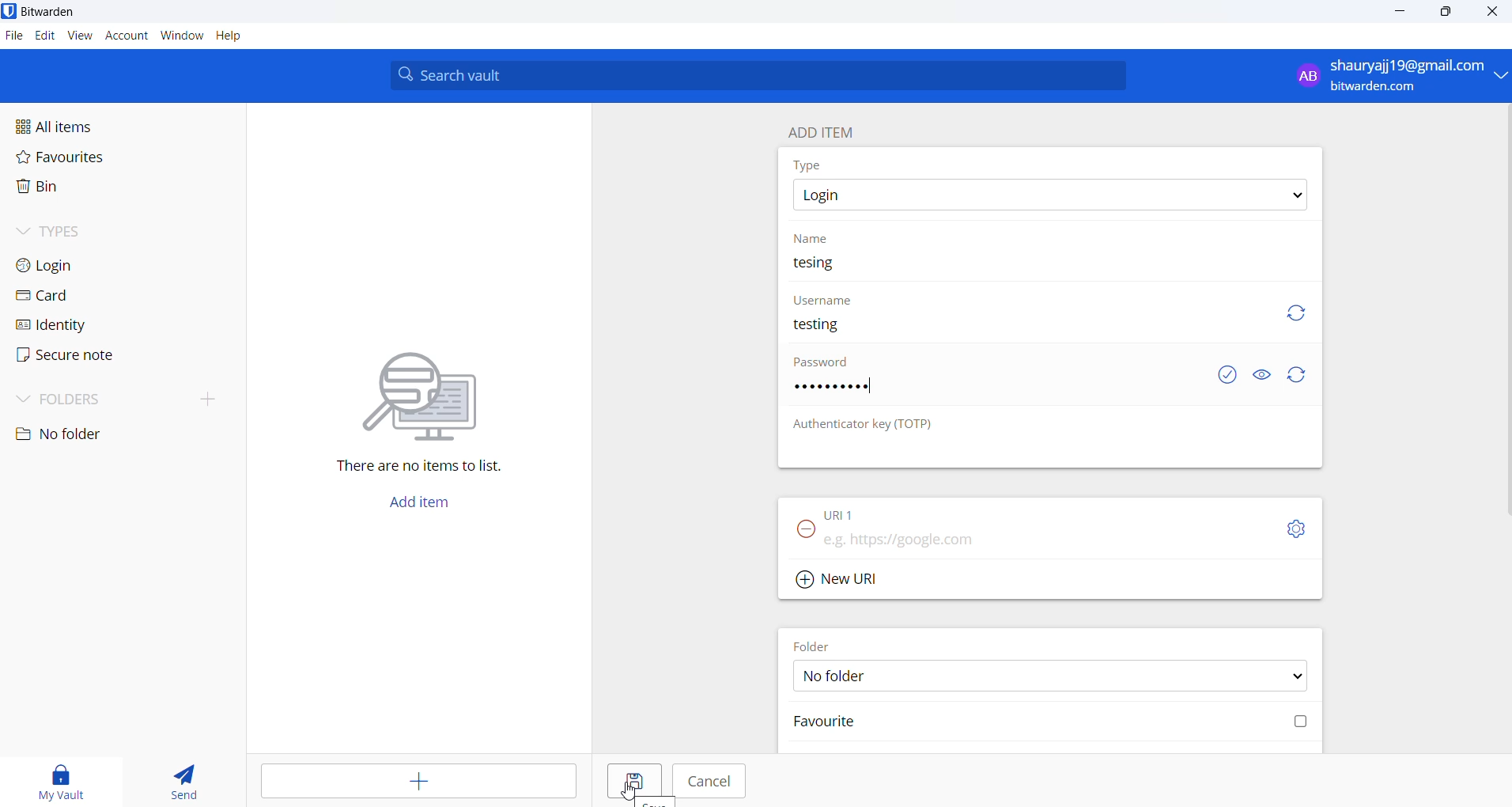 This screenshot has height=807, width=1512. I want to click on Types, so click(76, 229).